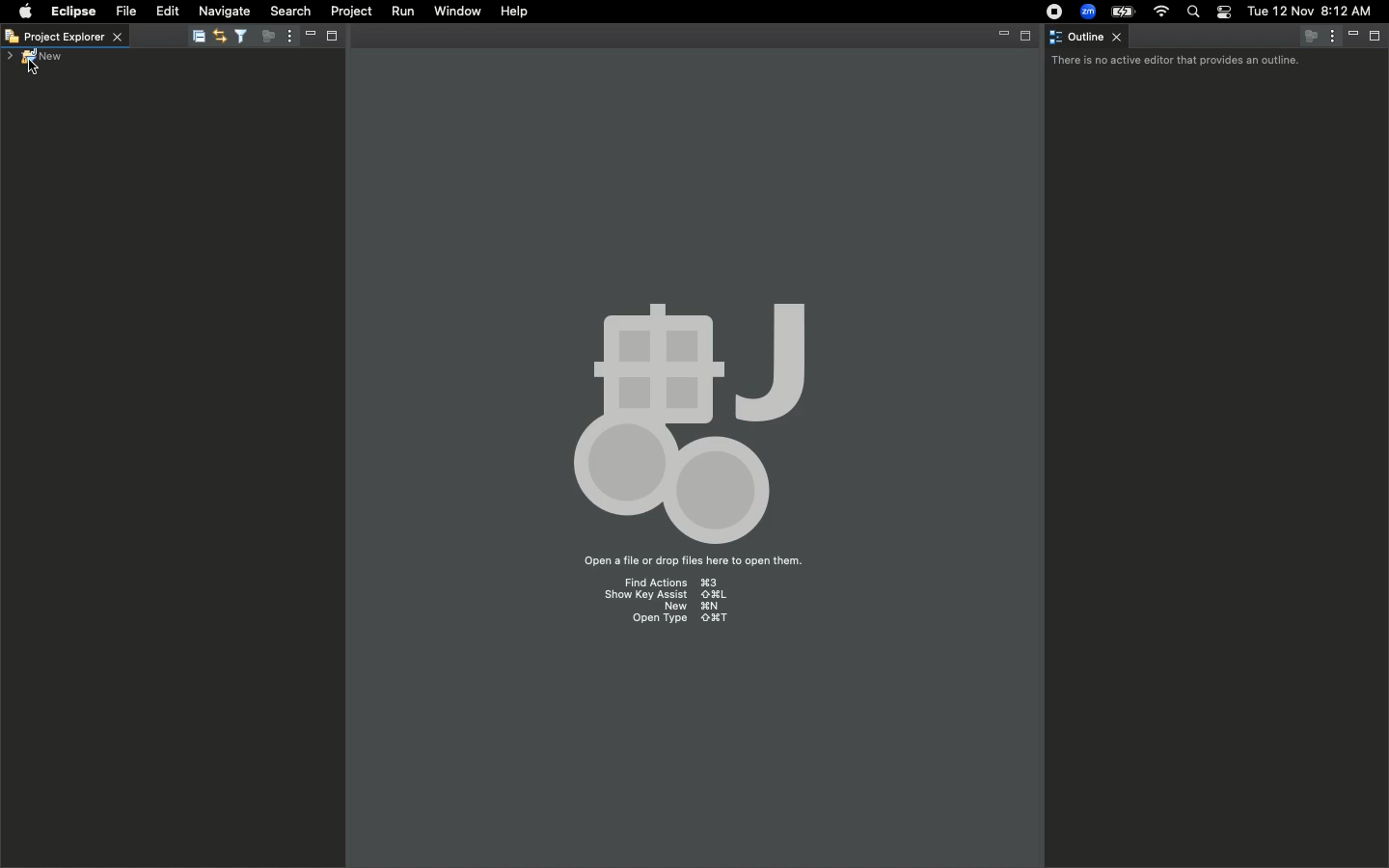 Image resolution: width=1389 pixels, height=868 pixels. What do you see at coordinates (1309, 11) in the screenshot?
I see `Date/time` at bounding box center [1309, 11].